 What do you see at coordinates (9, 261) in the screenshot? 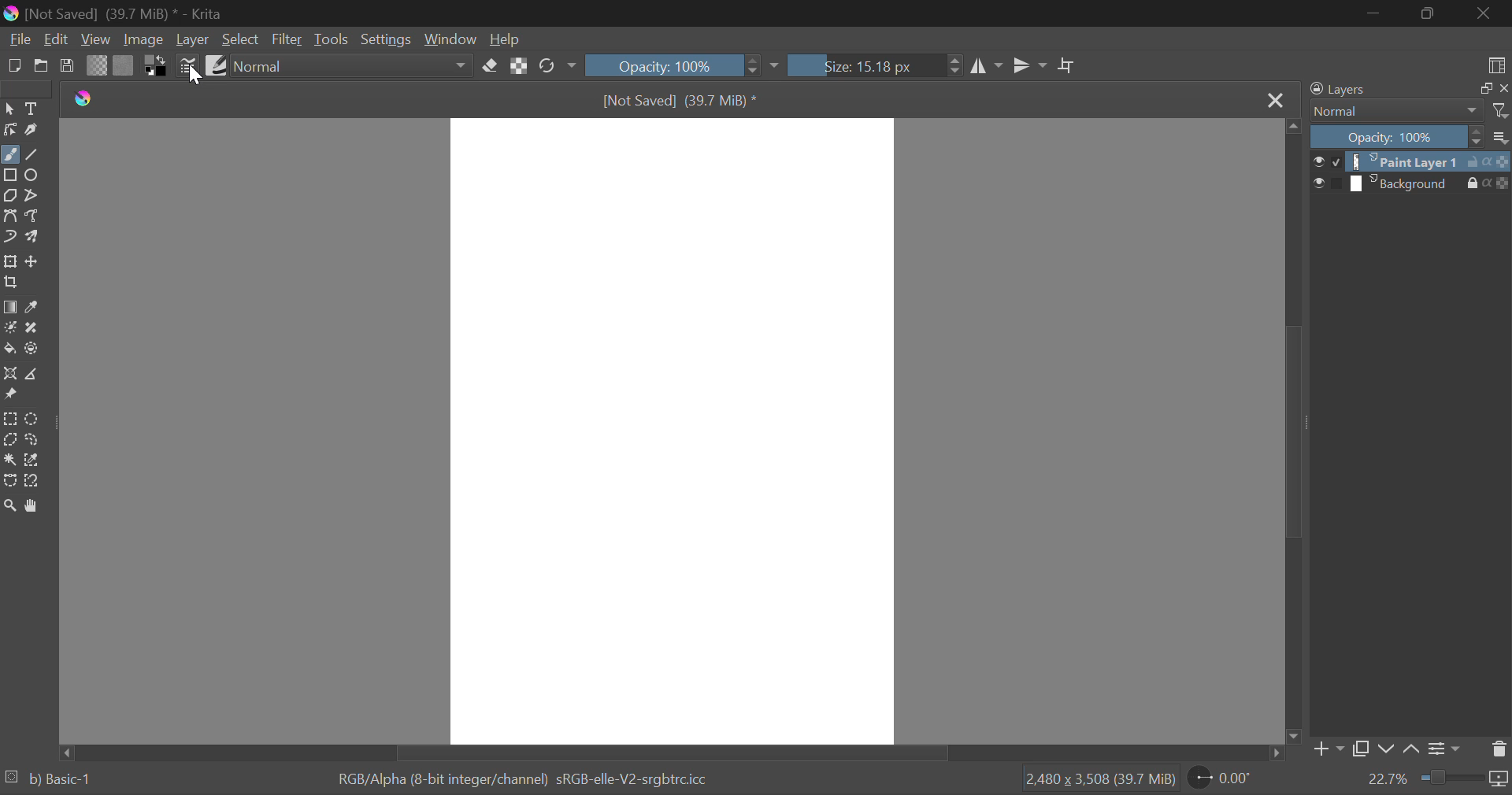
I see `Transform a layer` at bounding box center [9, 261].